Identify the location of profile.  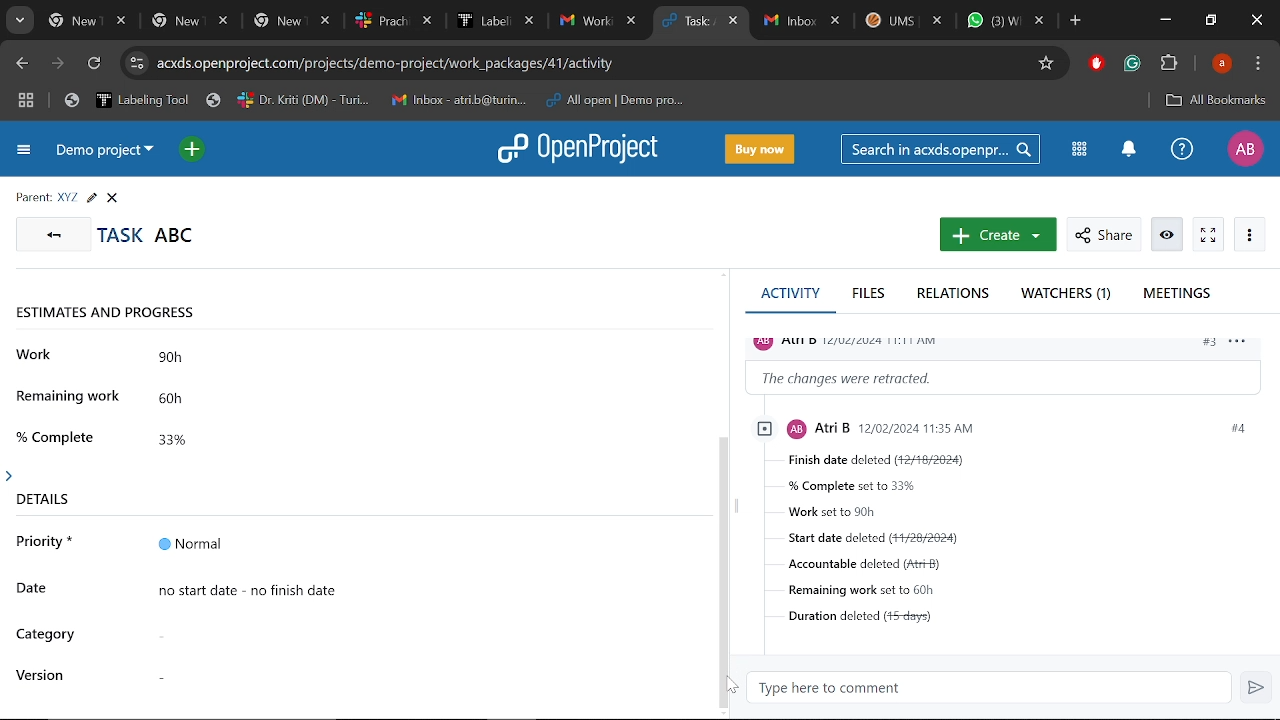
(956, 427).